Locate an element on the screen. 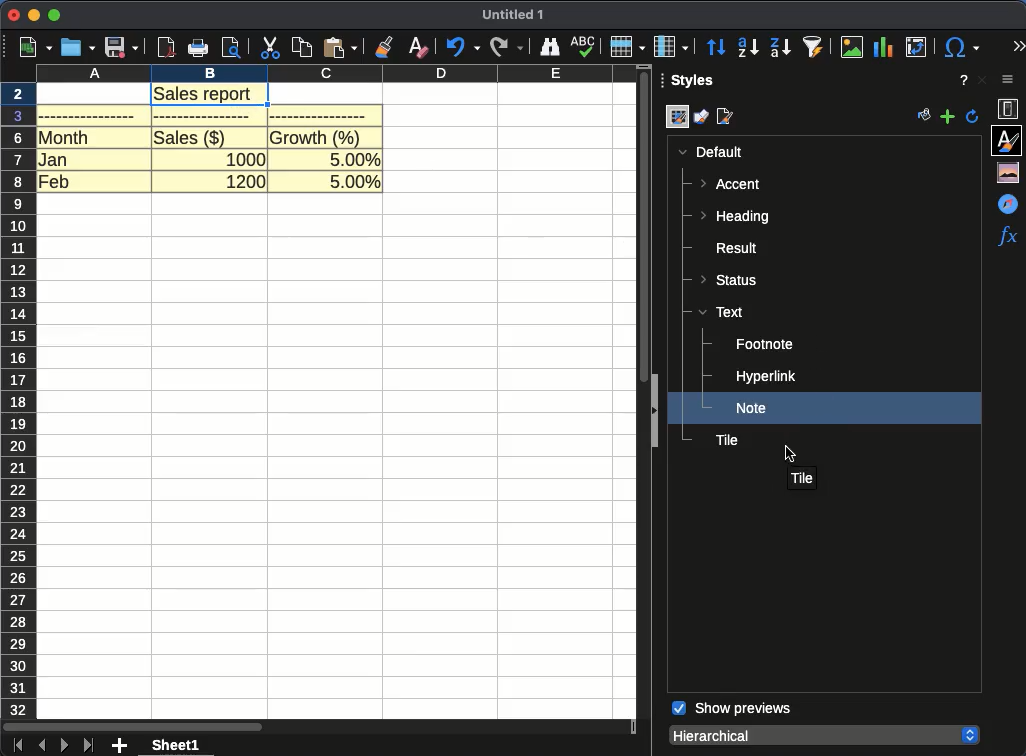  sales($) is located at coordinates (190, 137).